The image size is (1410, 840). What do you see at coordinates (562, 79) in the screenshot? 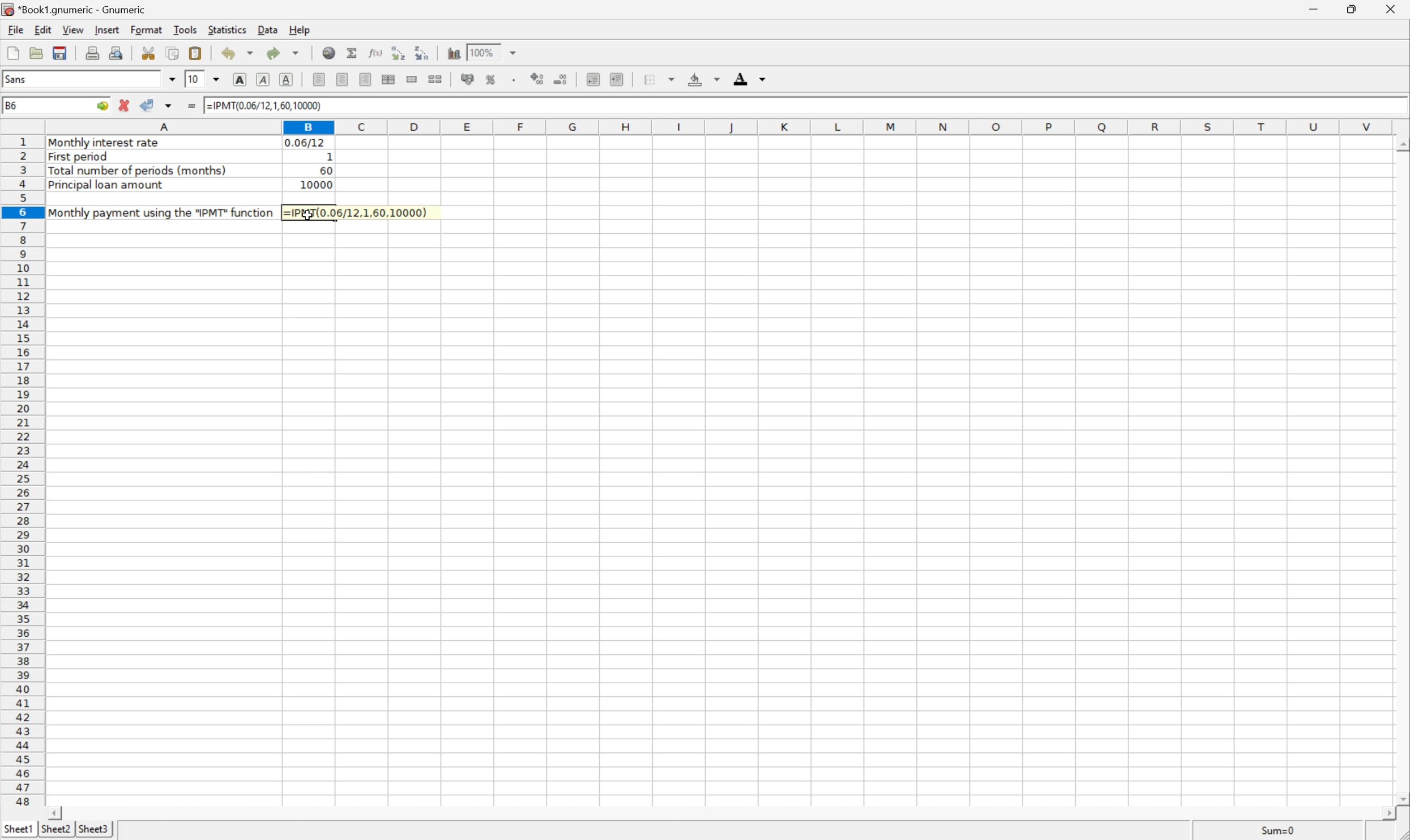
I see `Decrease the number of decimals displayed` at bounding box center [562, 79].